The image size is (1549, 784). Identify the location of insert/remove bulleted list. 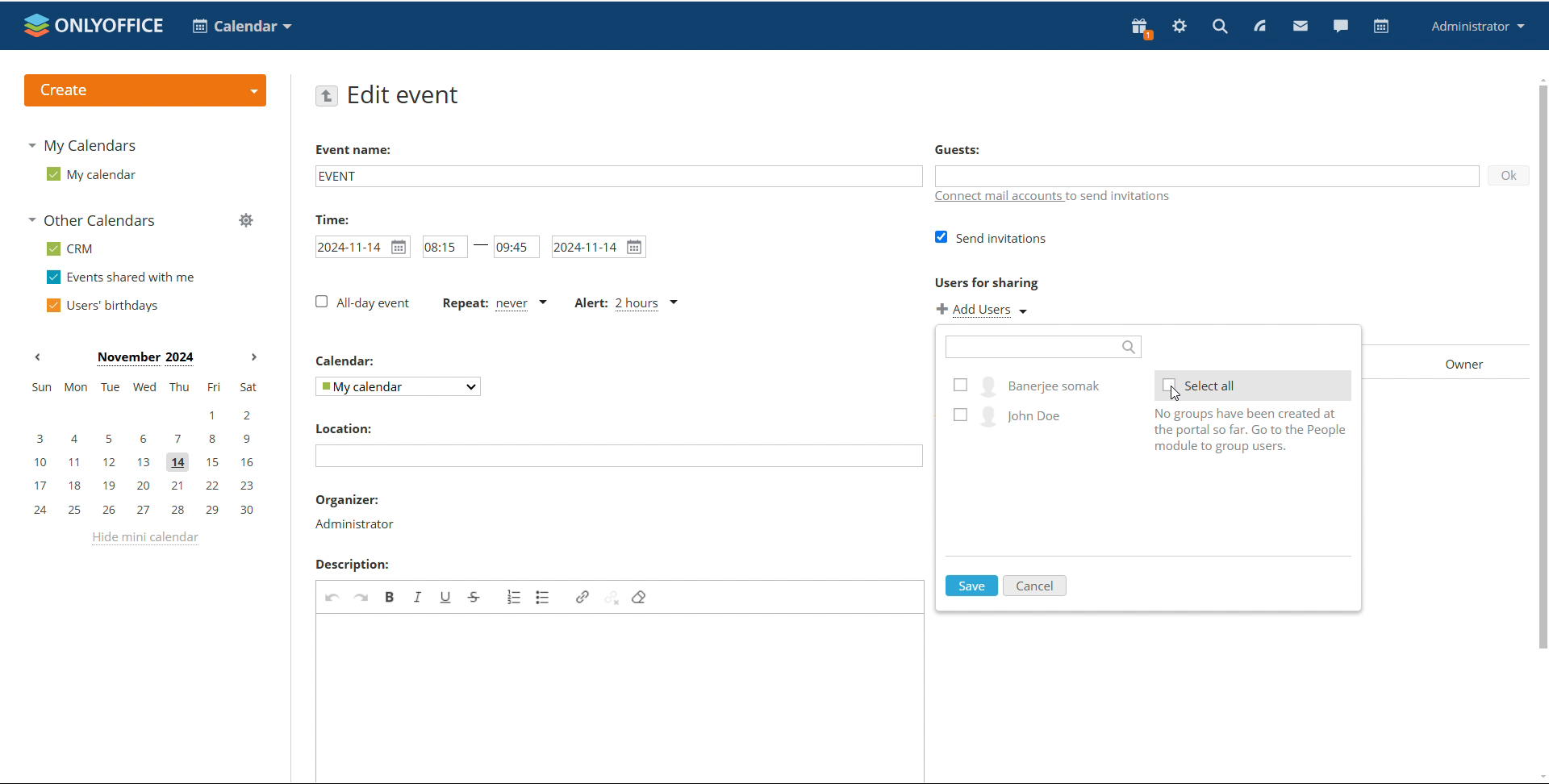
(543, 596).